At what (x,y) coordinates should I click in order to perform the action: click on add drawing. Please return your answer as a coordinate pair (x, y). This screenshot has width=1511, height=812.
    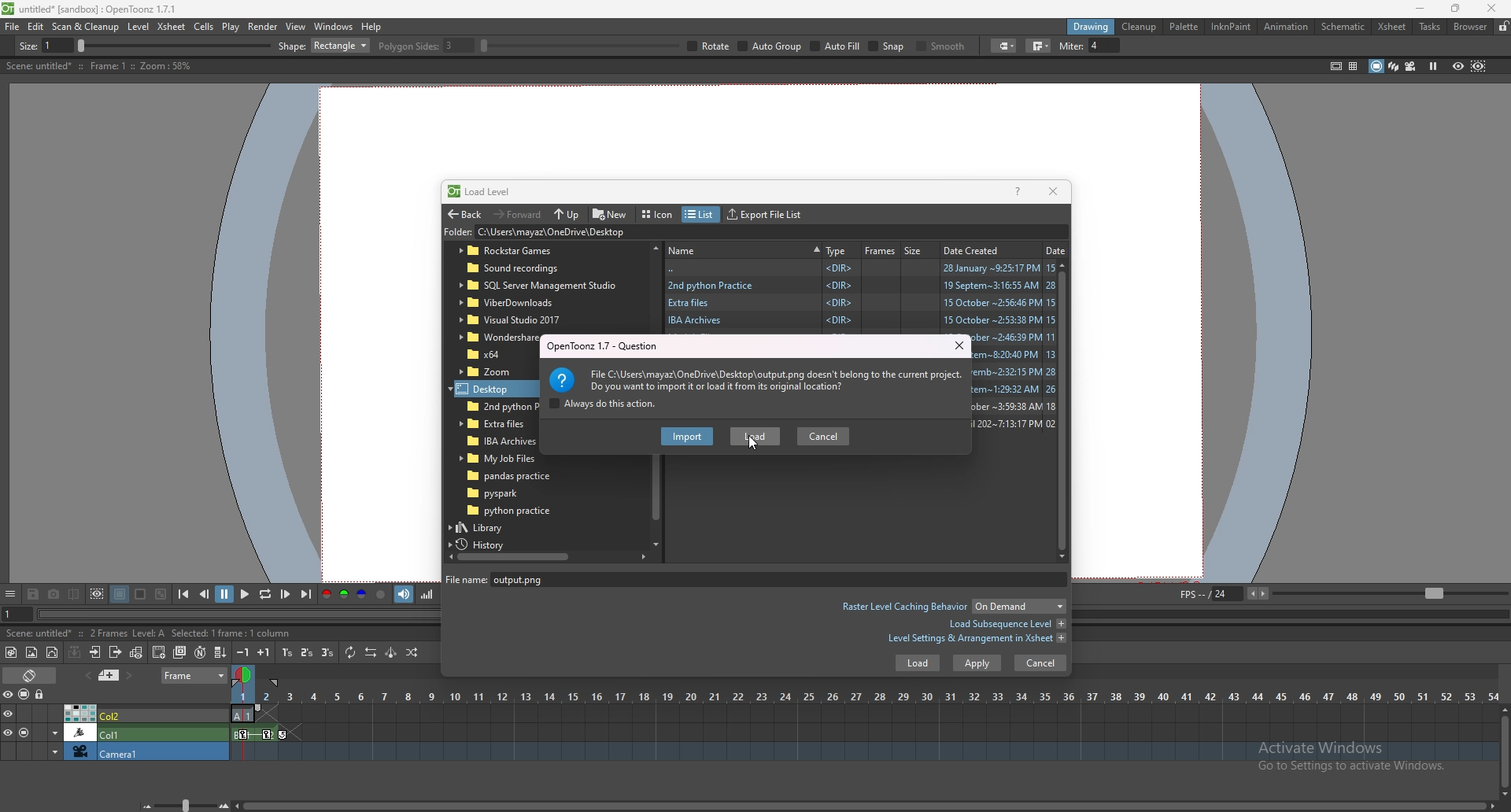
    Looking at the image, I should click on (160, 651).